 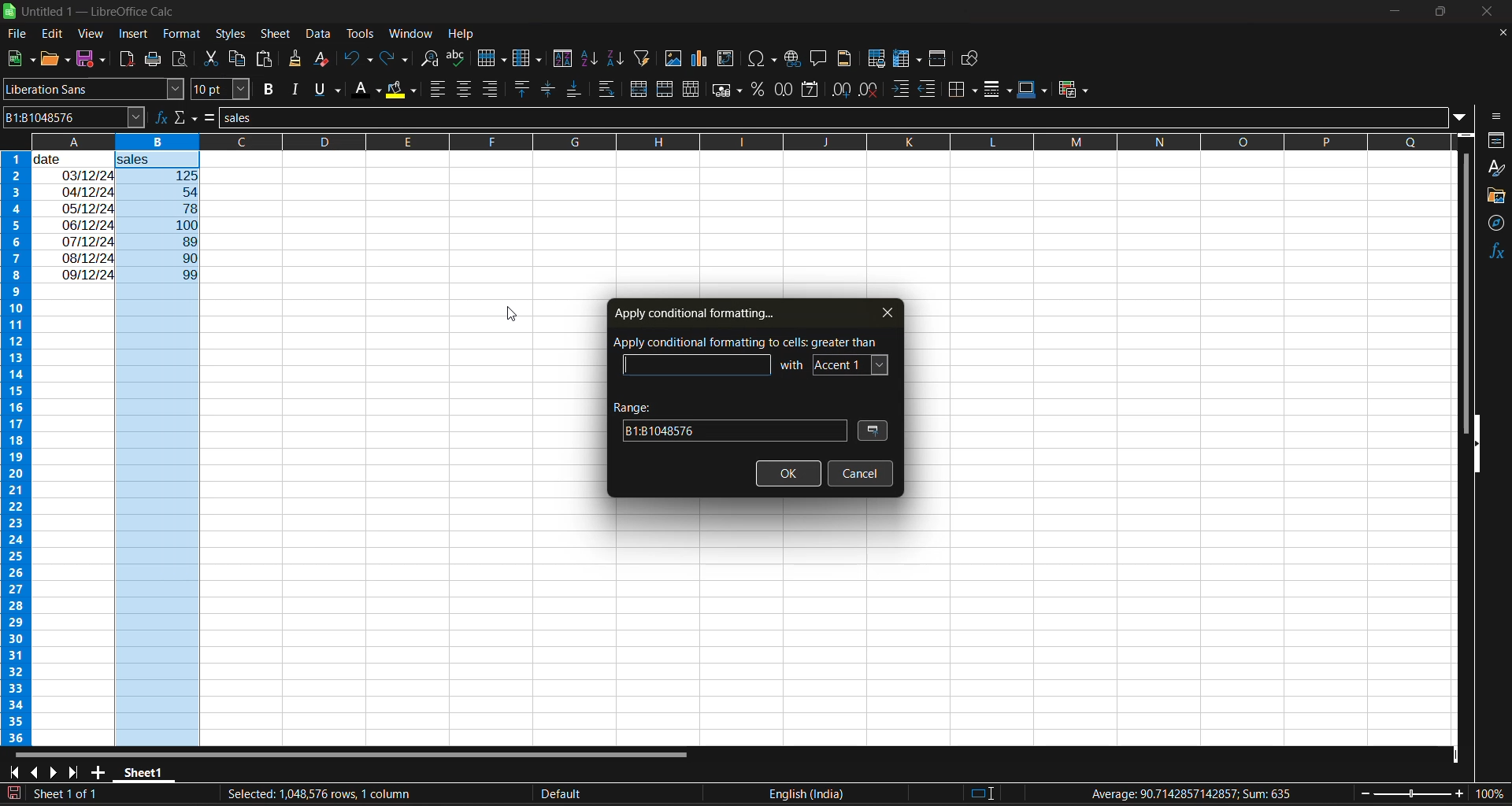 I want to click on name box, so click(x=71, y=116).